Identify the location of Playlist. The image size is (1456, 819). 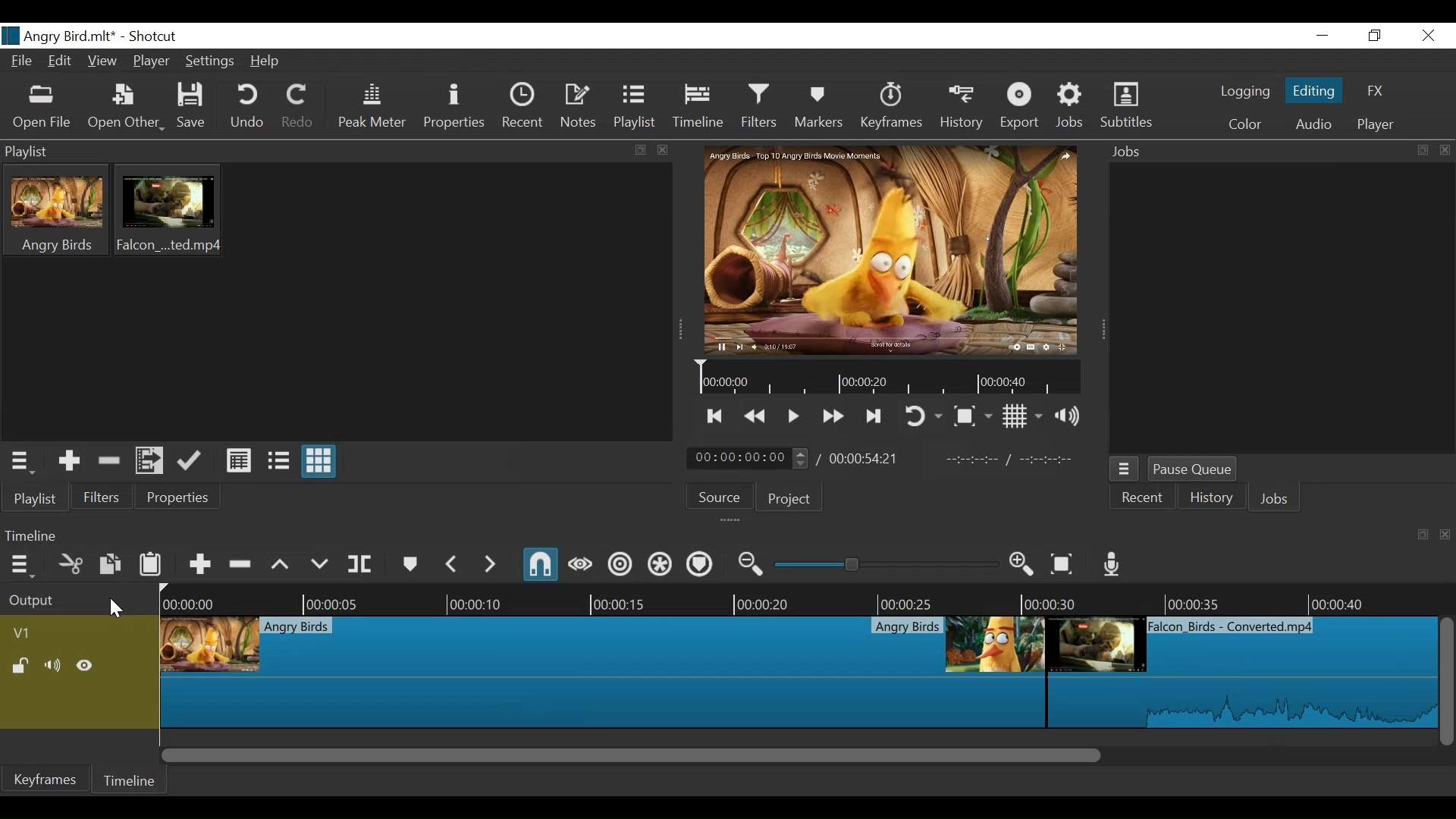
(635, 107).